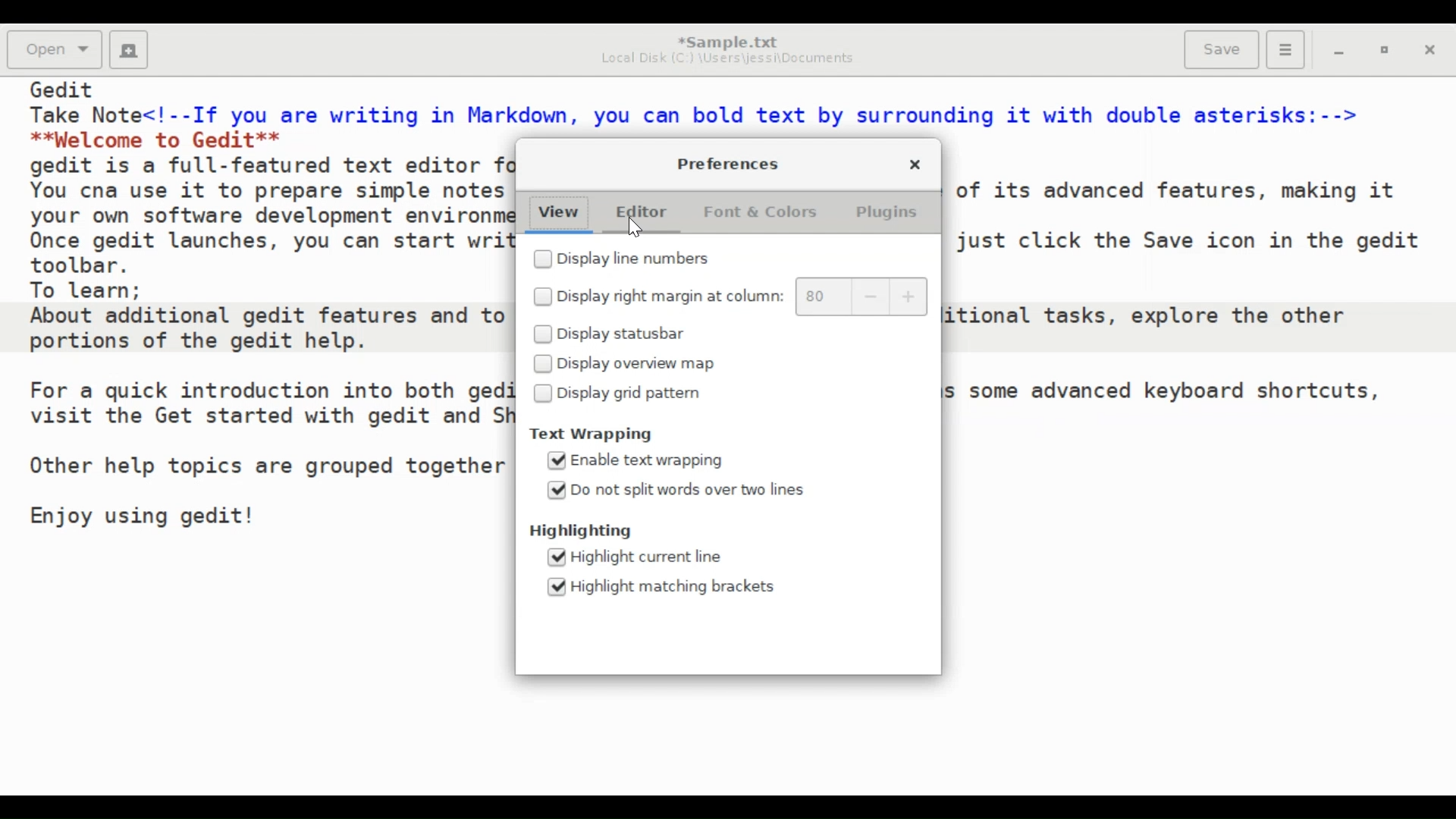  What do you see at coordinates (626, 363) in the screenshot?
I see `(un)select Display overview map` at bounding box center [626, 363].